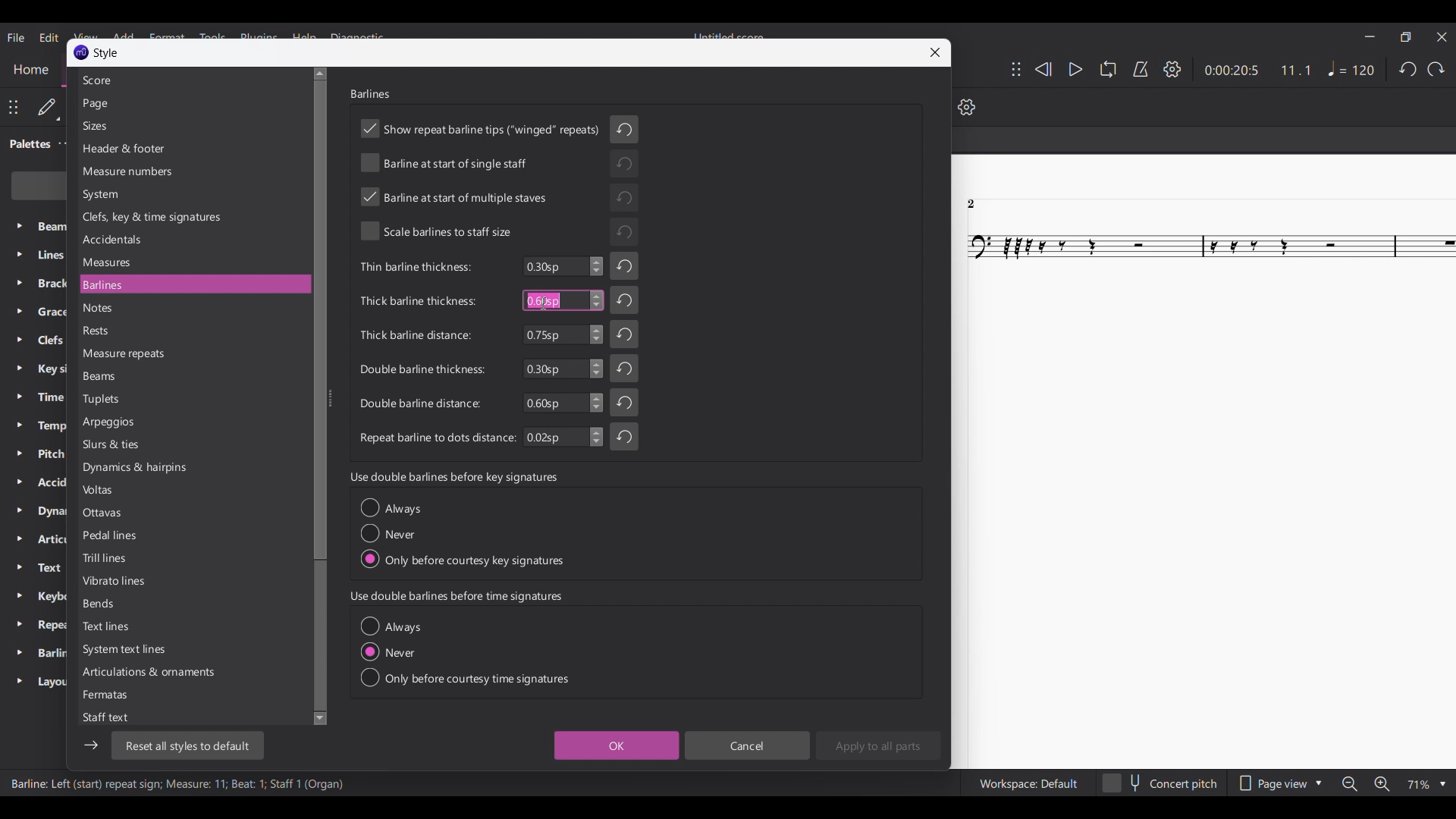 This screenshot has height=819, width=1456. Describe the element at coordinates (1442, 36) in the screenshot. I see `Close interface` at that location.